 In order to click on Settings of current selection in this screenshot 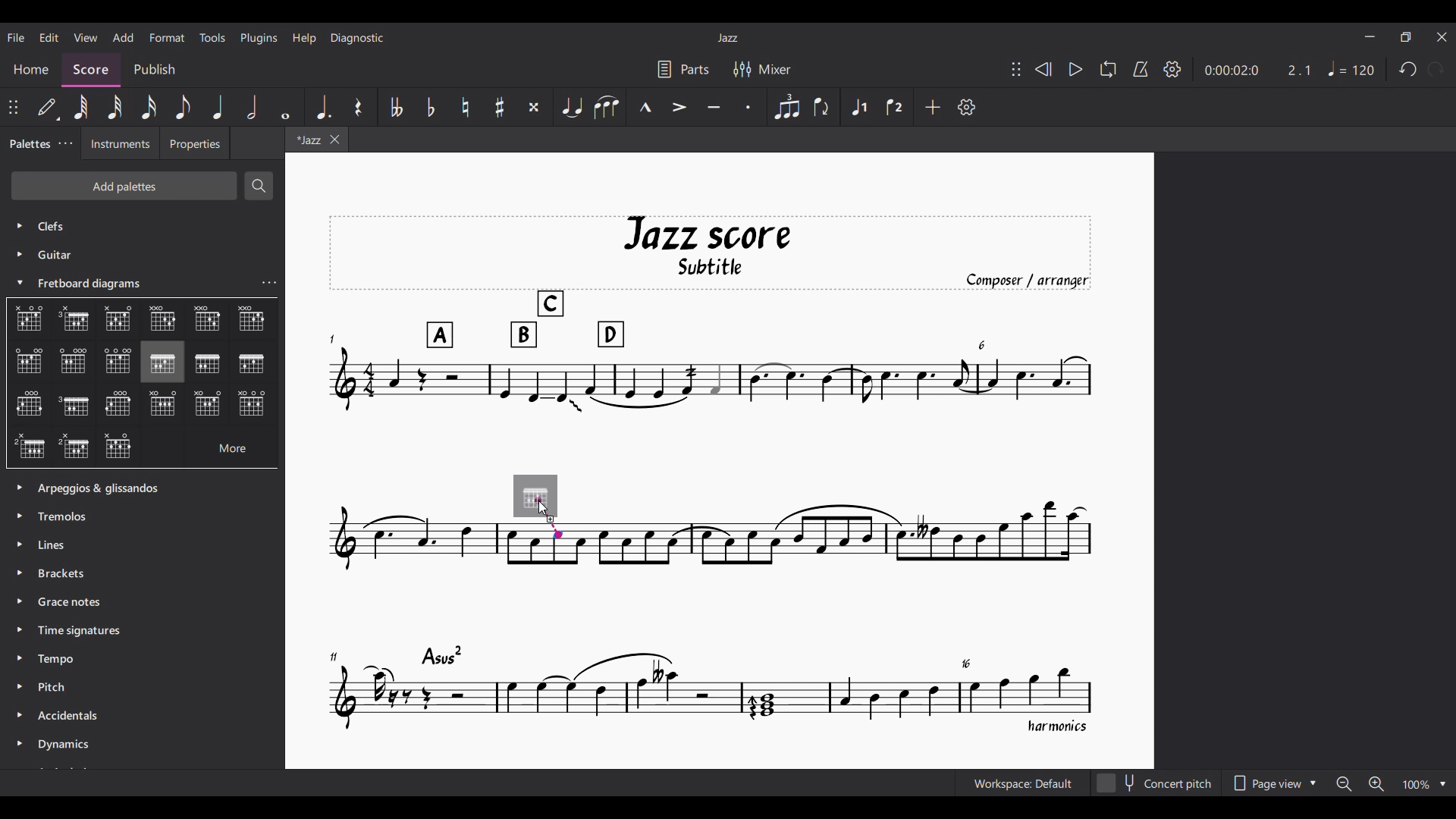, I will do `click(268, 282)`.